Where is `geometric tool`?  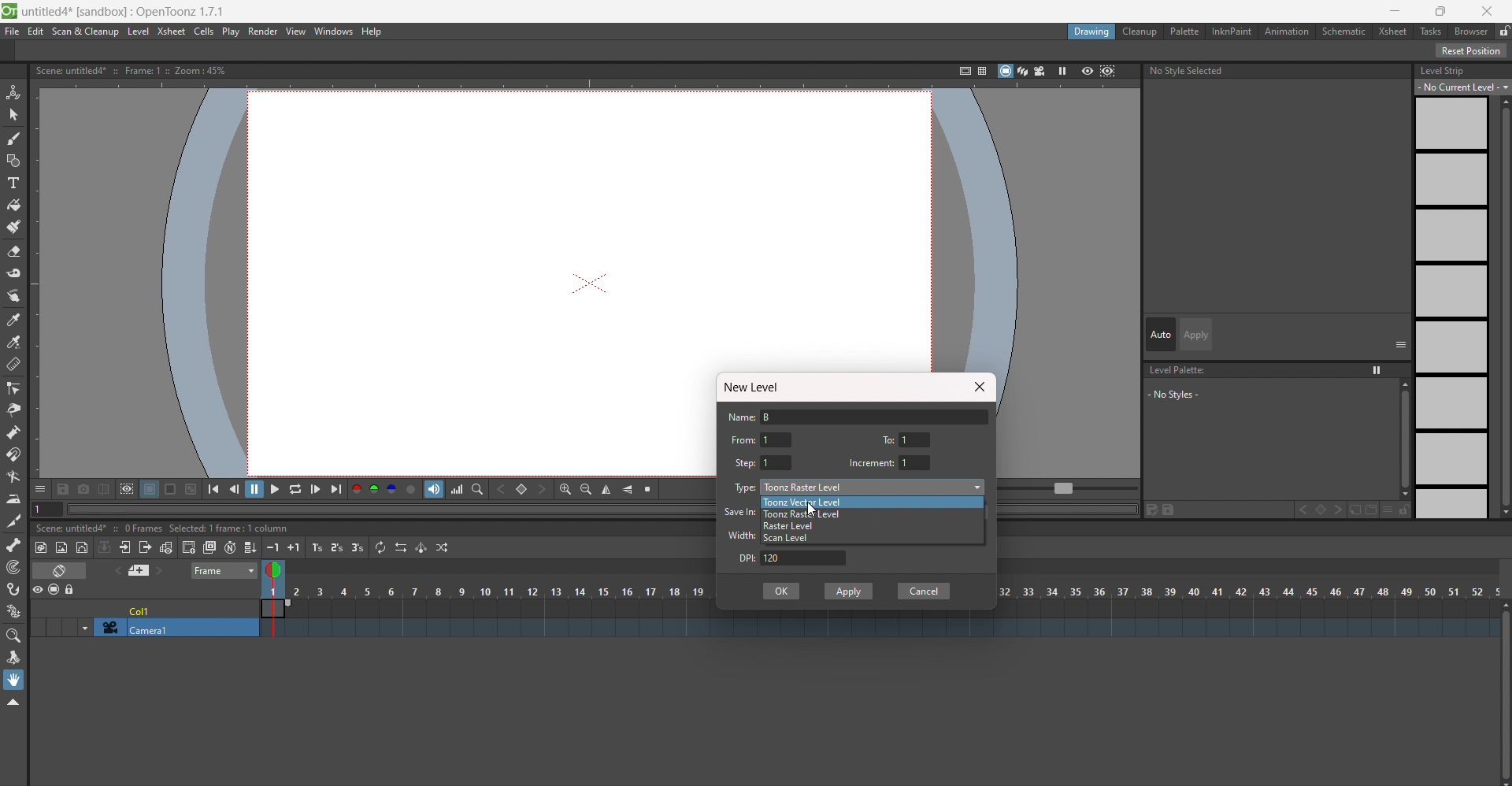 geometric tool is located at coordinates (13, 162).